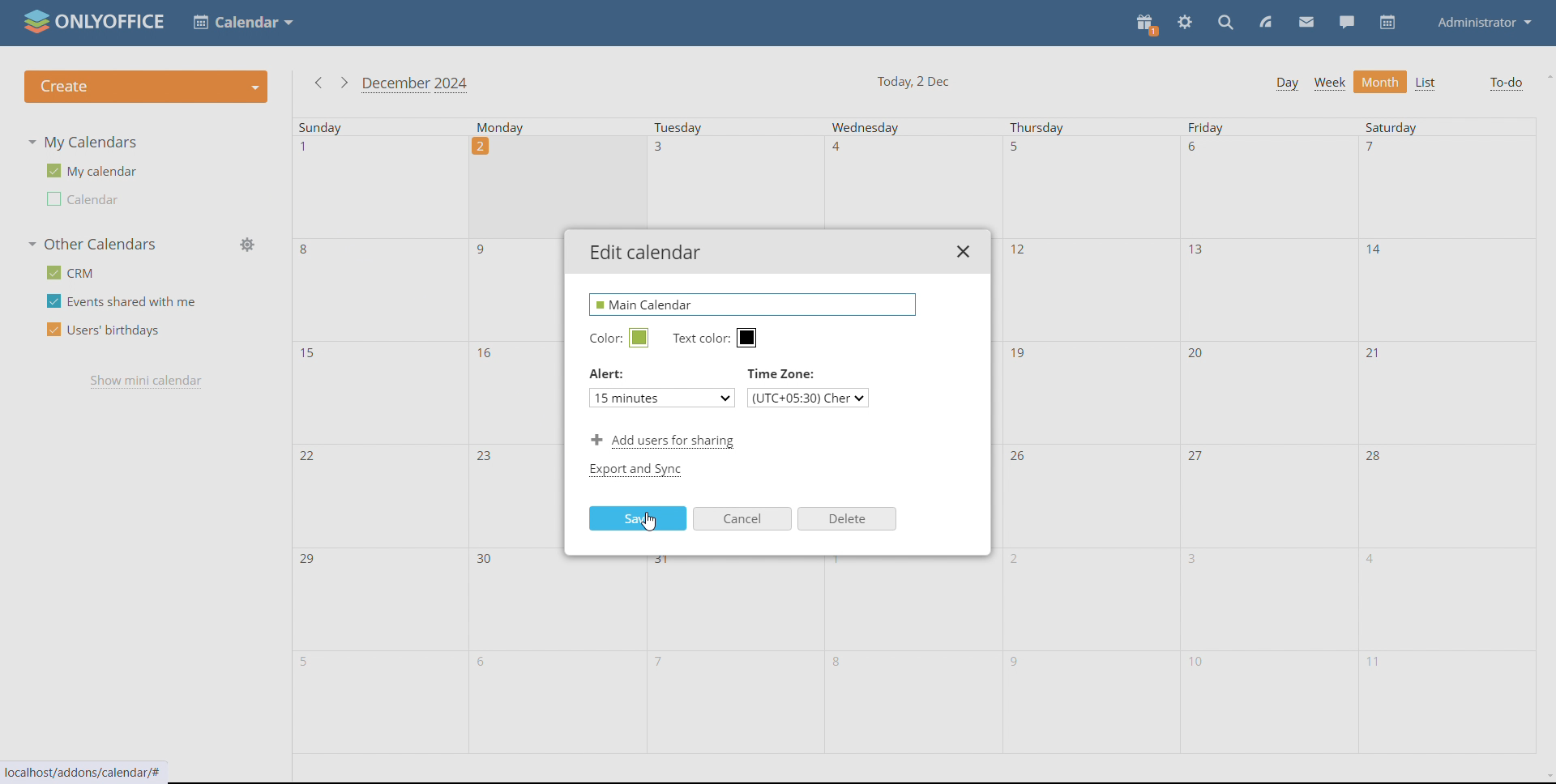 This screenshot has width=1556, height=784. What do you see at coordinates (738, 183) in the screenshot?
I see `` at bounding box center [738, 183].